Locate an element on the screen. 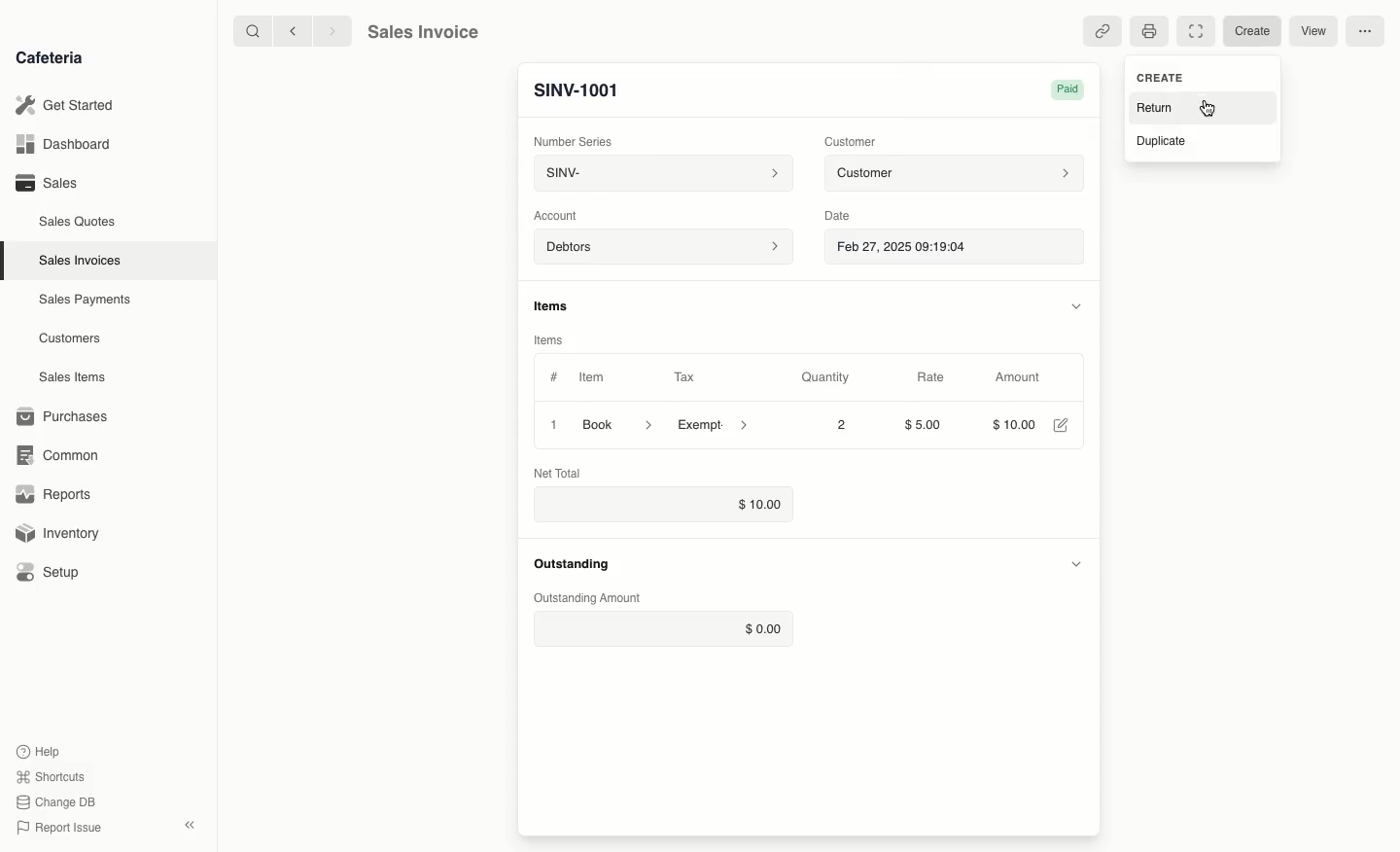 This screenshot has width=1400, height=852. Hide is located at coordinates (1075, 560).